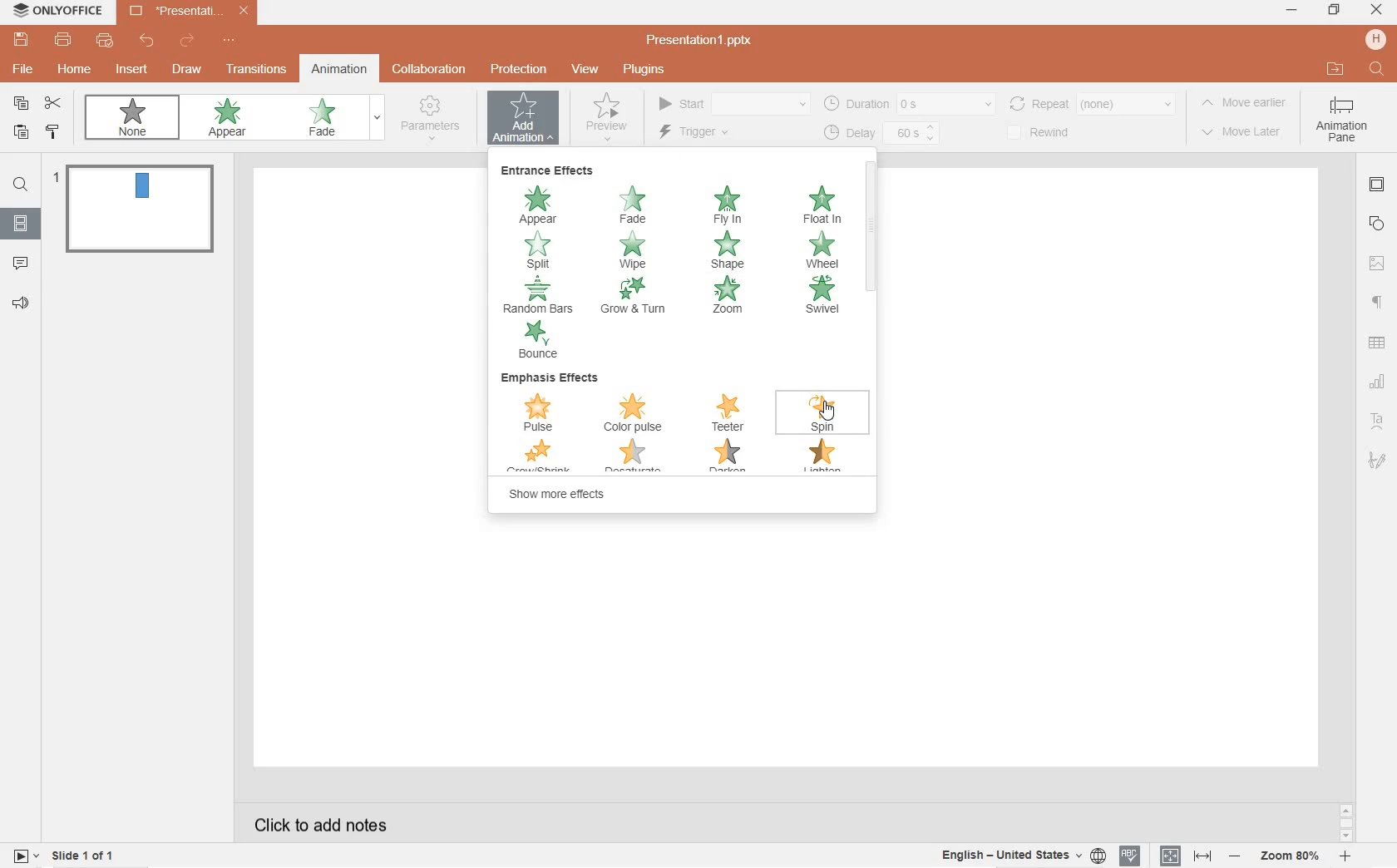 Image resolution: width=1397 pixels, height=868 pixels. What do you see at coordinates (85, 858) in the screenshot?
I see `slide 1 of 1` at bounding box center [85, 858].